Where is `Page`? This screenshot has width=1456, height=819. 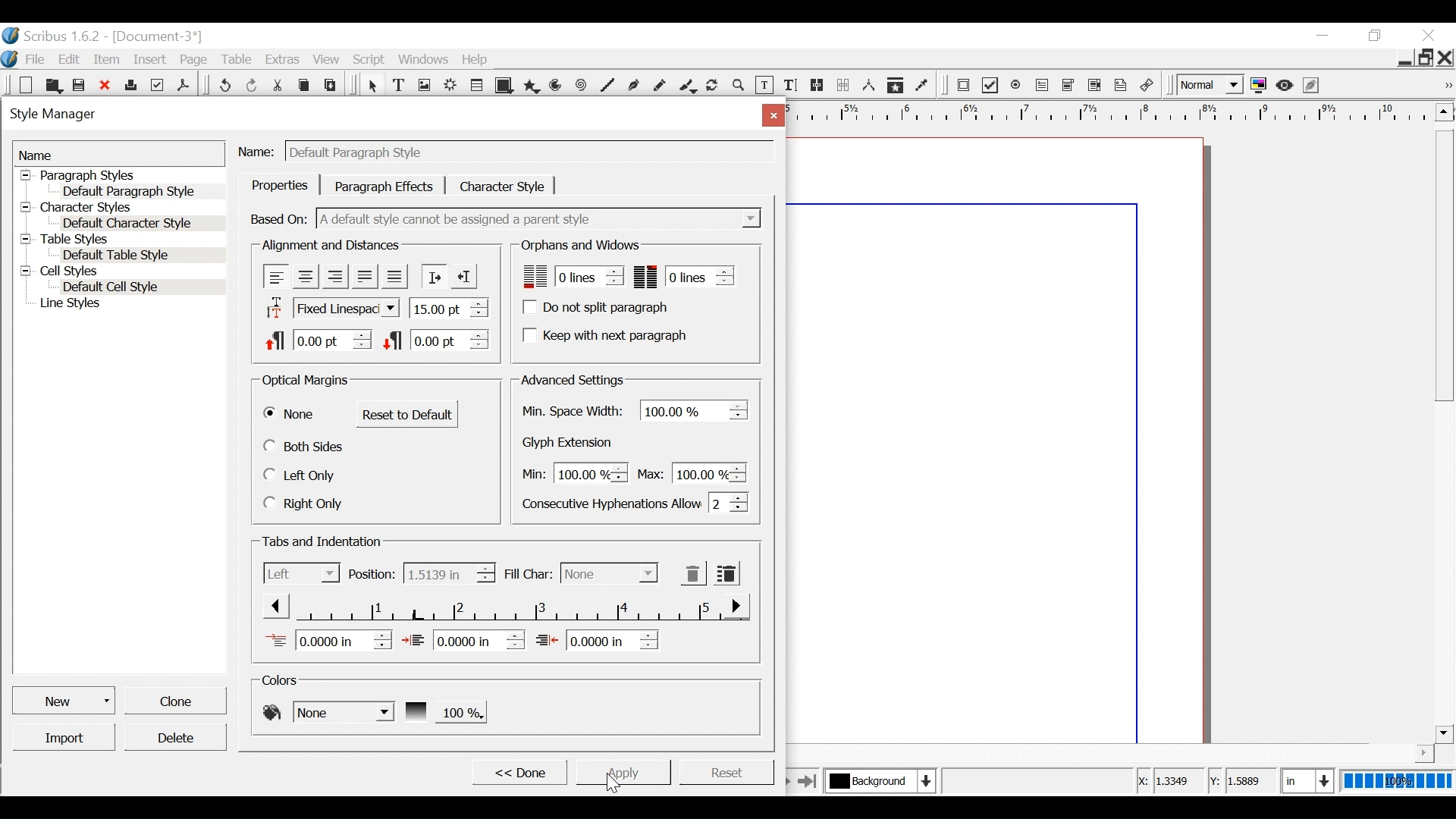 Page is located at coordinates (194, 60).